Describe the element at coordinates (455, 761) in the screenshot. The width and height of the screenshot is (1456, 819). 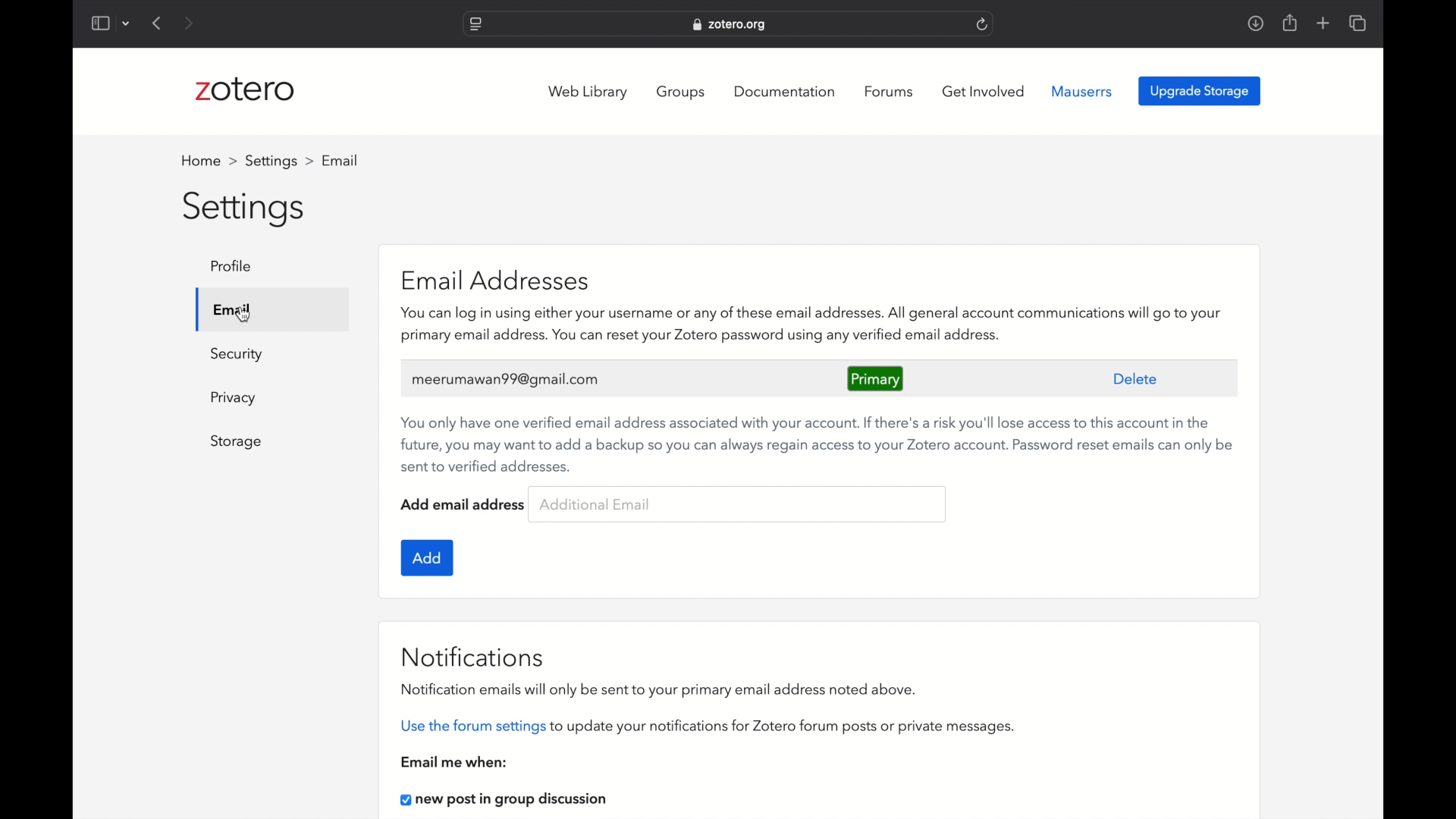
I see `email me when:` at that location.